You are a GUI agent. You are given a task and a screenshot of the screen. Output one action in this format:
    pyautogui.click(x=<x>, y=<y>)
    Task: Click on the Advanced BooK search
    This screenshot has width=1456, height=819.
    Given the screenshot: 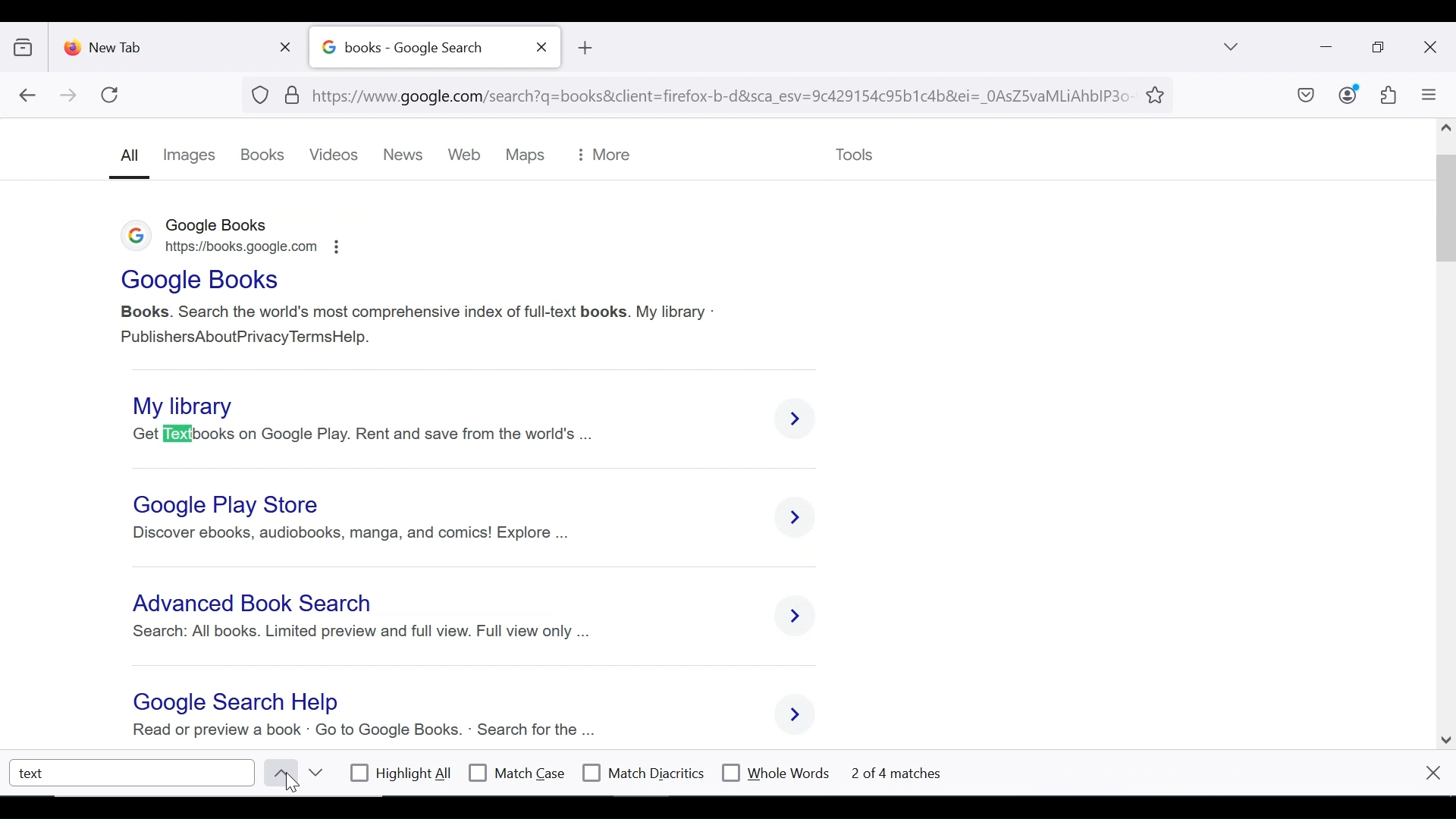 What is the action you would take?
    pyautogui.click(x=256, y=606)
    